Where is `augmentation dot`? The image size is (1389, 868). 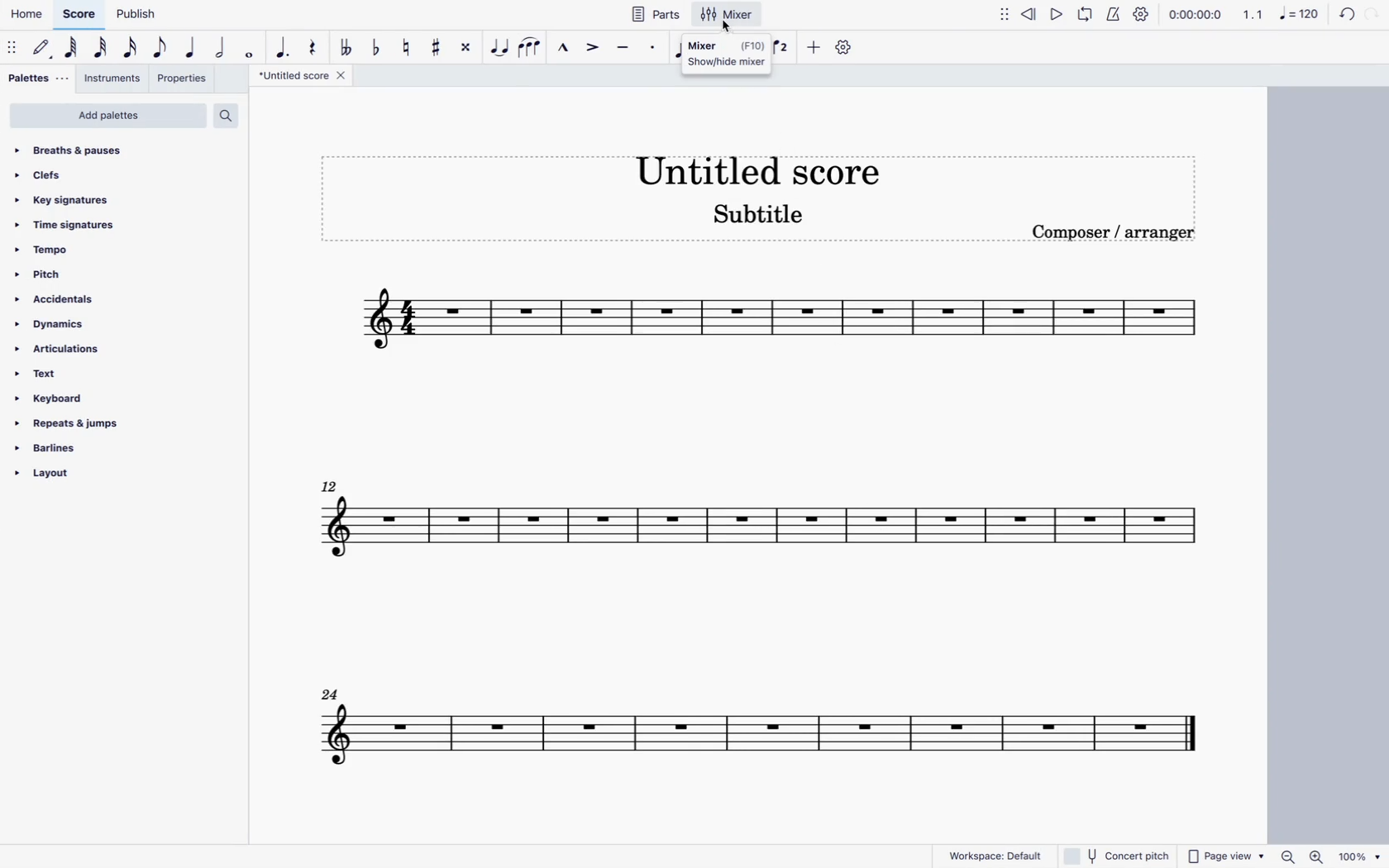
augmentation dot is located at coordinates (283, 45).